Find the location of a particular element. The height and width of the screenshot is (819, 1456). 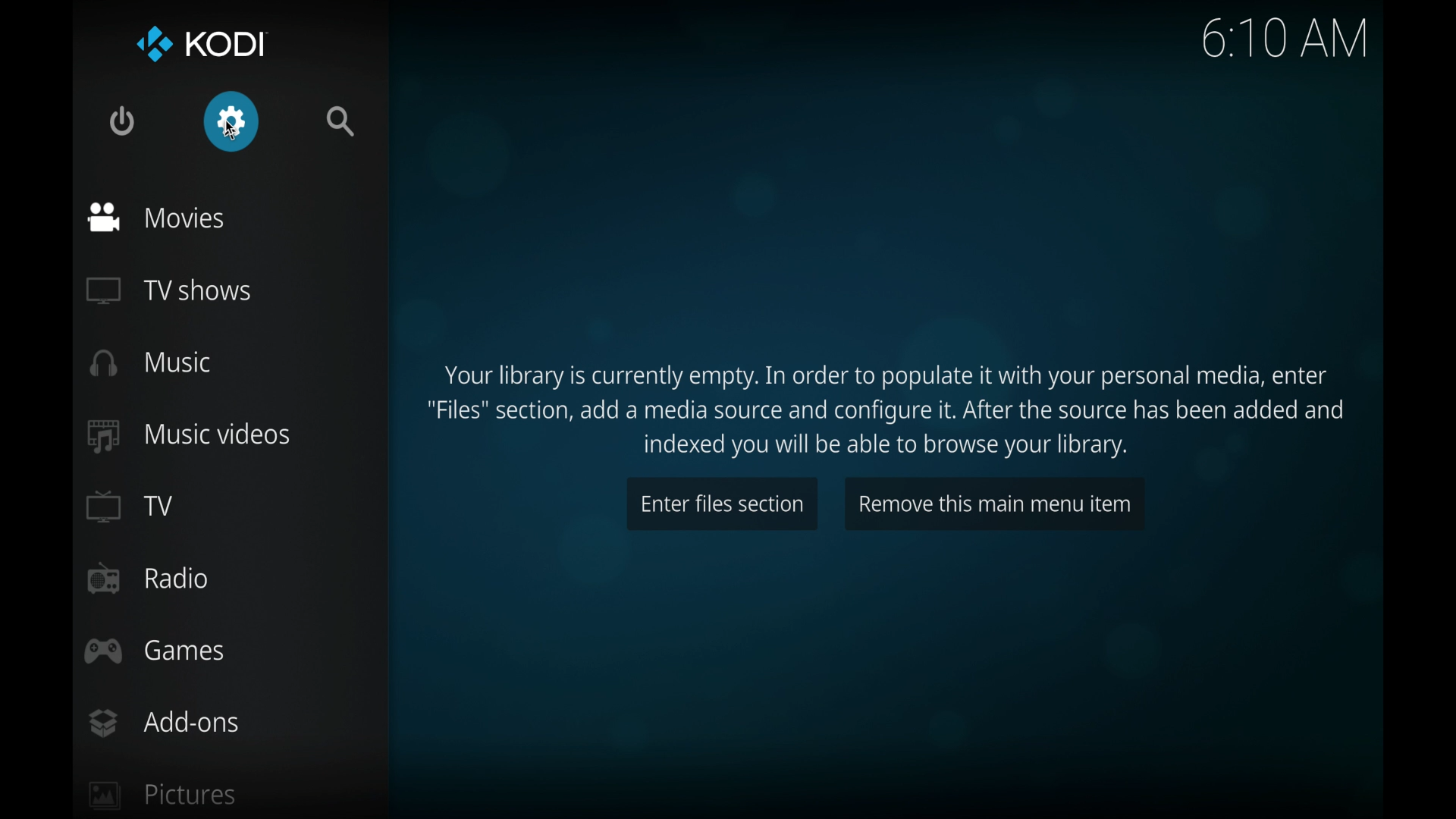

remove this main menu item is located at coordinates (995, 502).